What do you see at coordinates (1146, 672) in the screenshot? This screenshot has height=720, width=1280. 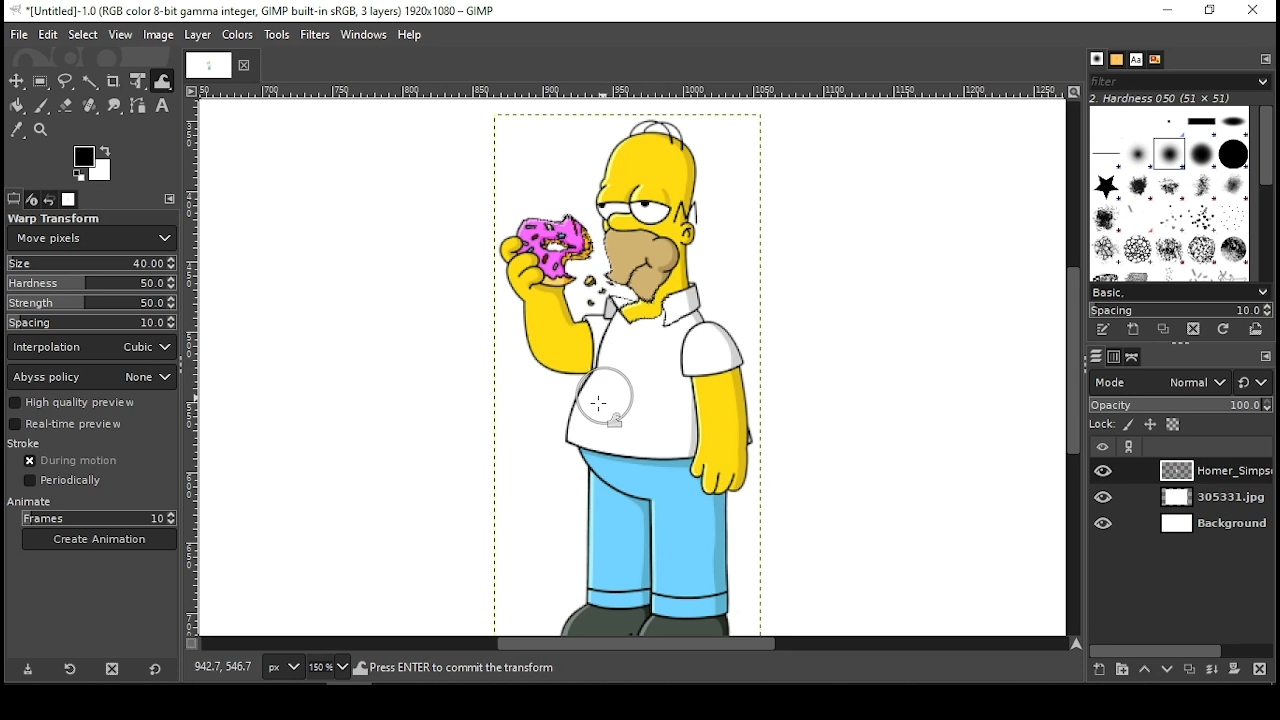 I see `move layer one step up` at bounding box center [1146, 672].